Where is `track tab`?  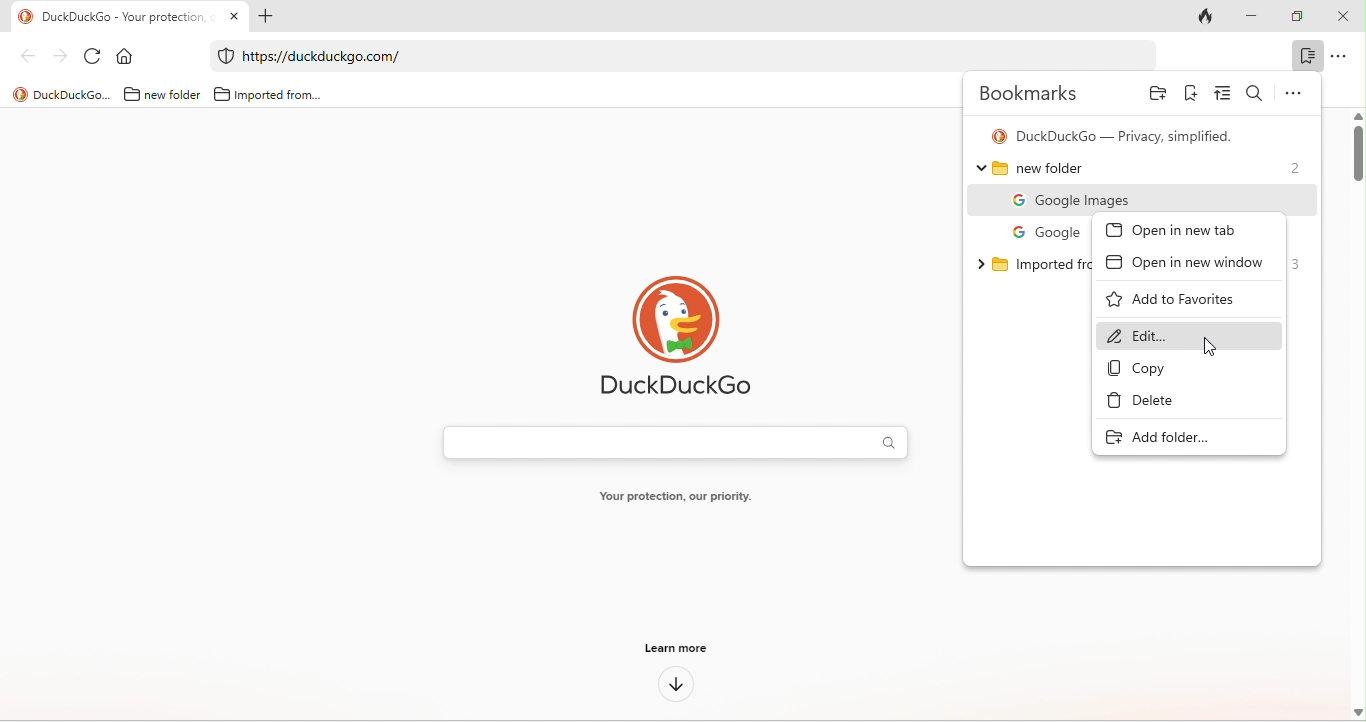
track tab is located at coordinates (1211, 15).